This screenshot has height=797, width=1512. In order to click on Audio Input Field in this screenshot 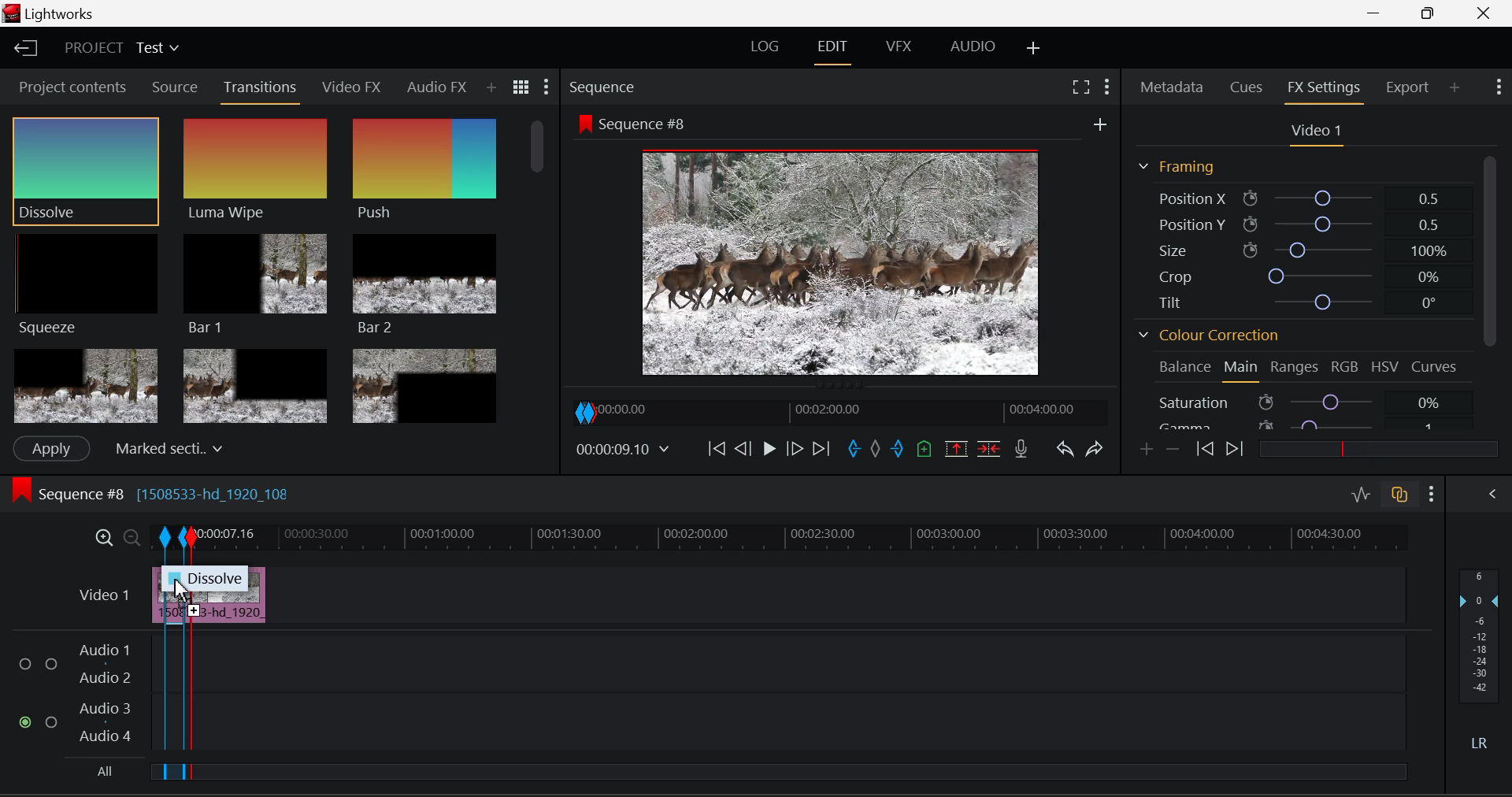, I will do `click(798, 724)`.